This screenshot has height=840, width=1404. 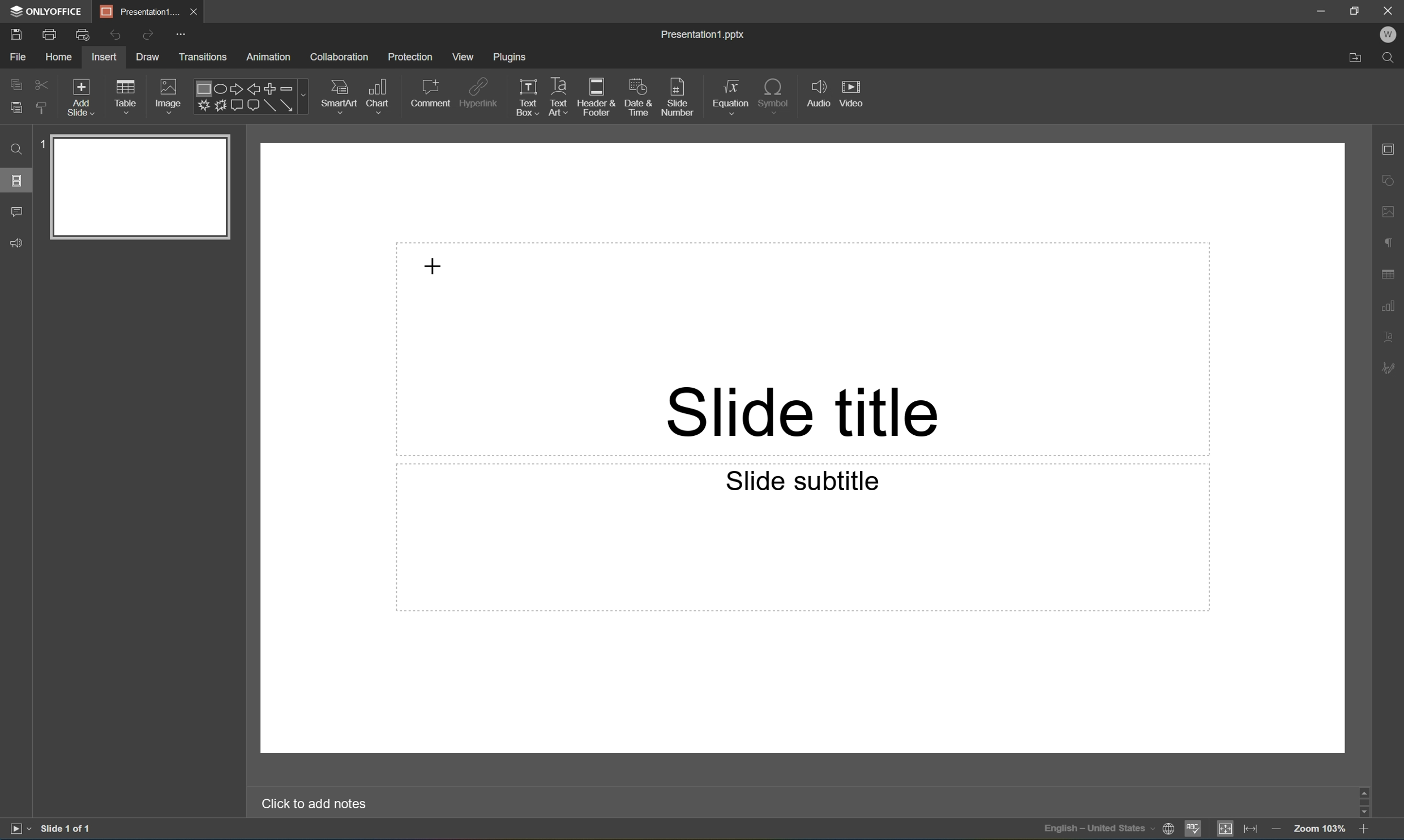 I want to click on Hyperlink, so click(x=479, y=91).